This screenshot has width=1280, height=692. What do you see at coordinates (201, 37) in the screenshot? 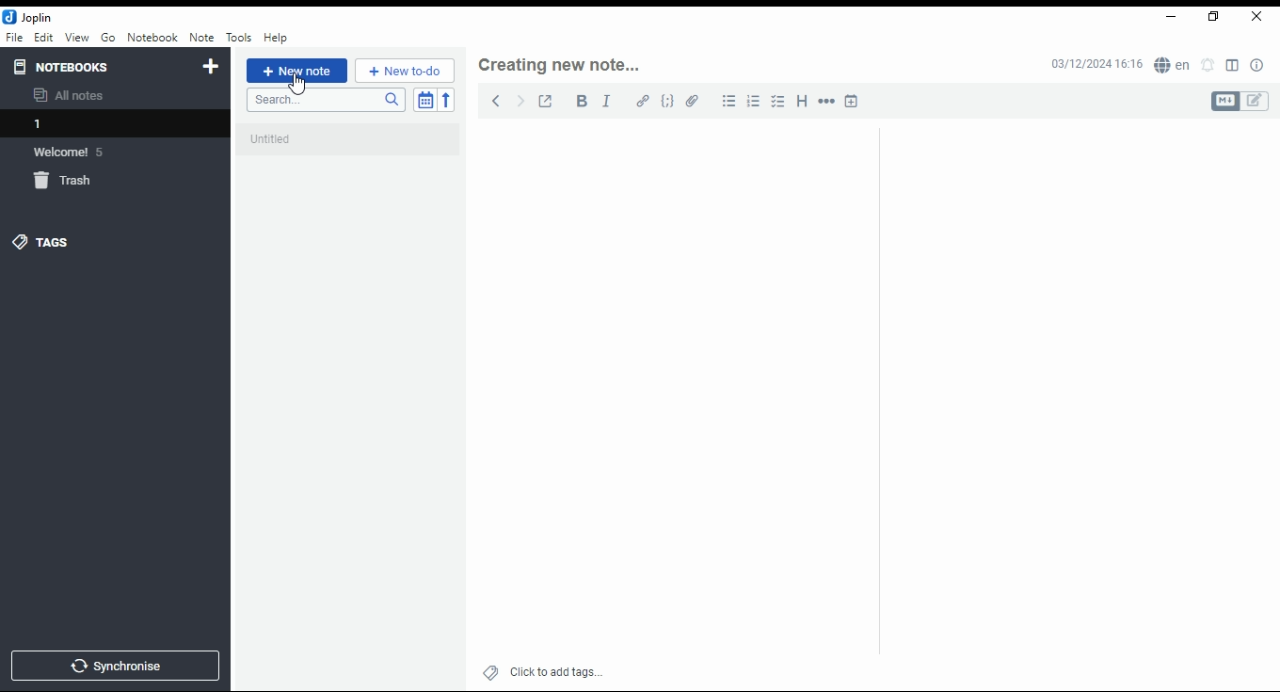
I see `note` at bounding box center [201, 37].